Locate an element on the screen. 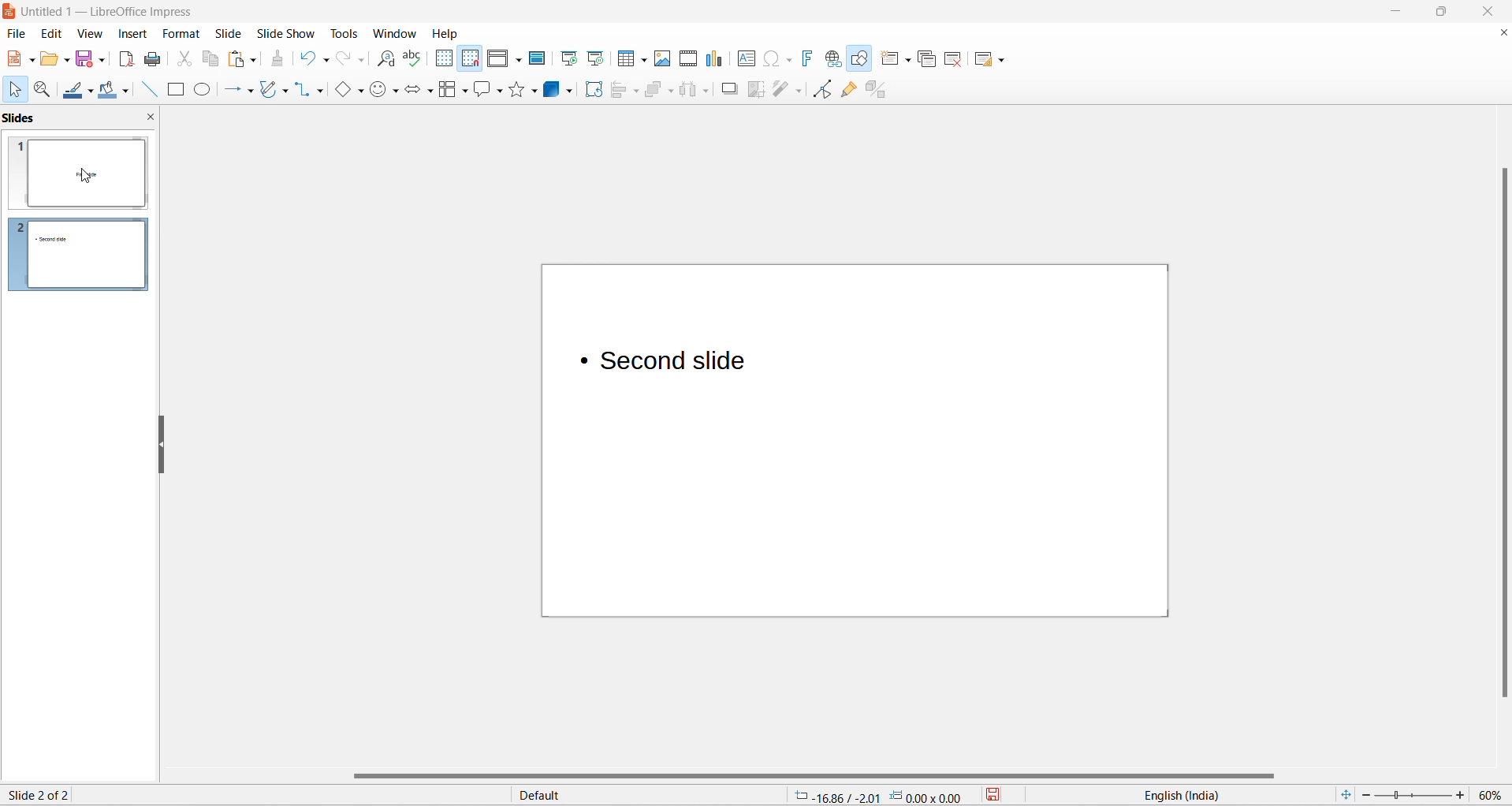 The height and width of the screenshot is (806, 1512). export as pdf is located at coordinates (127, 60).